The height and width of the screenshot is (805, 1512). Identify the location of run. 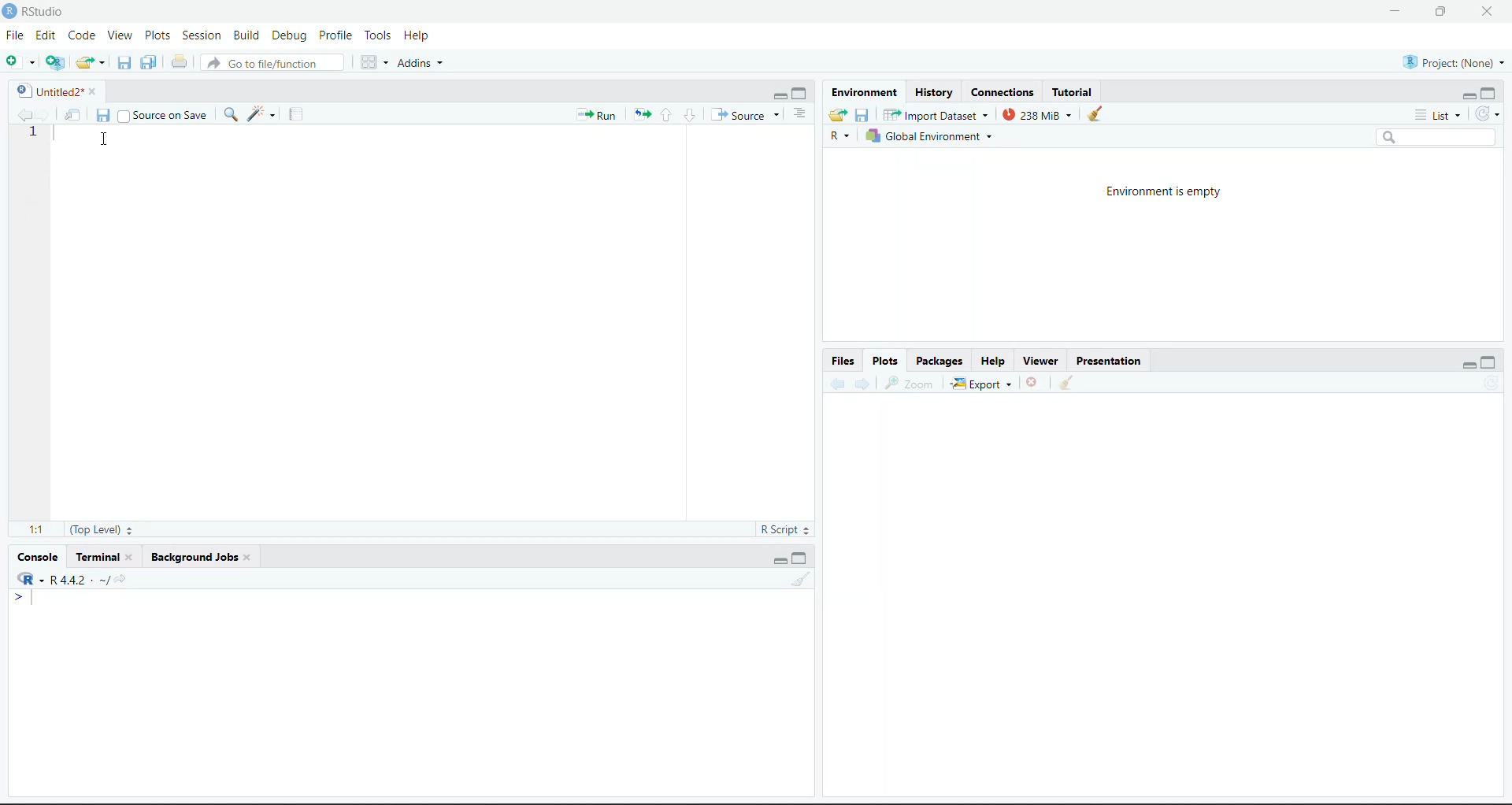
(597, 116).